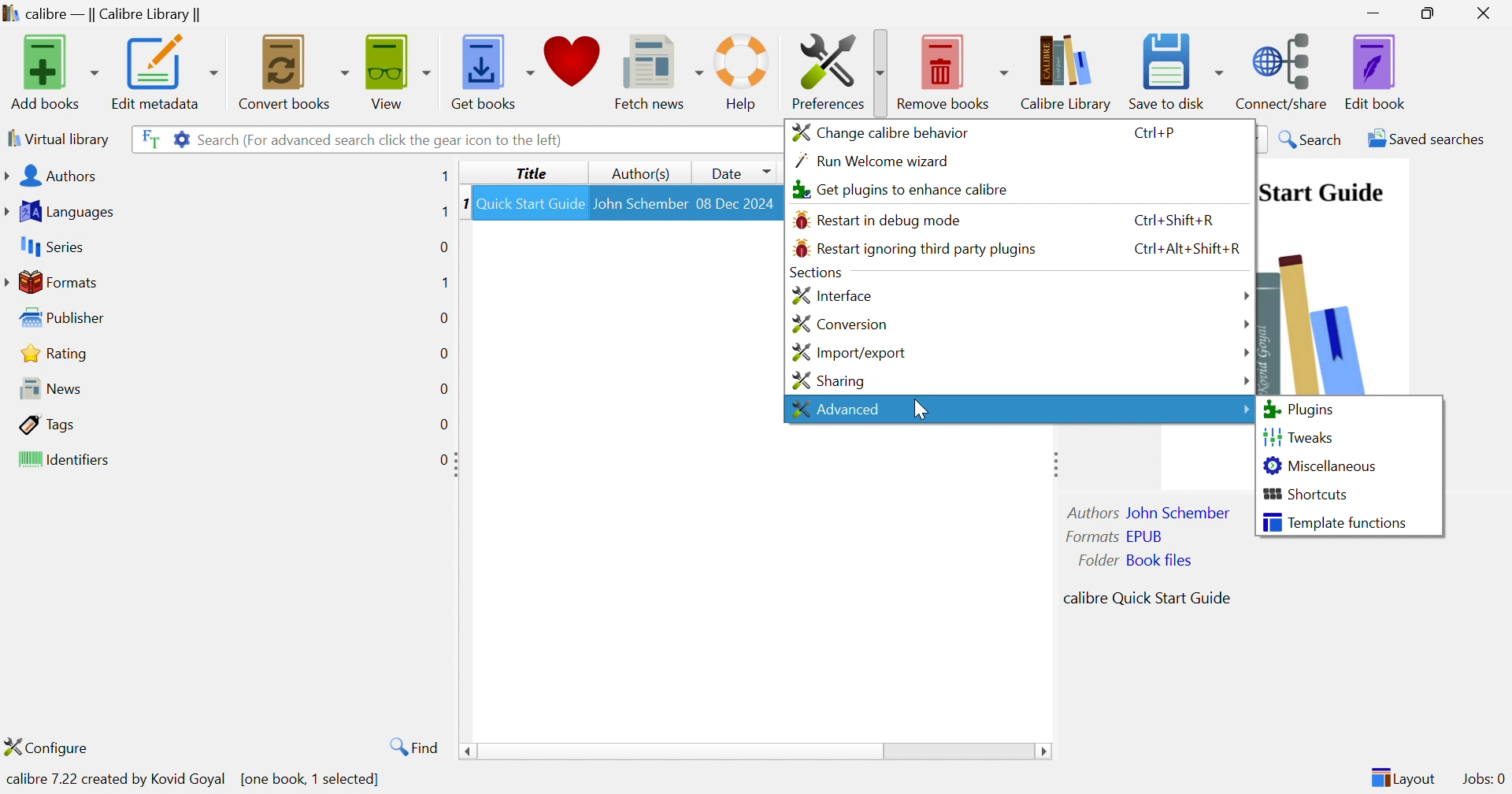 Image resolution: width=1512 pixels, height=794 pixels. Describe the element at coordinates (48, 424) in the screenshot. I see `Tags` at that location.